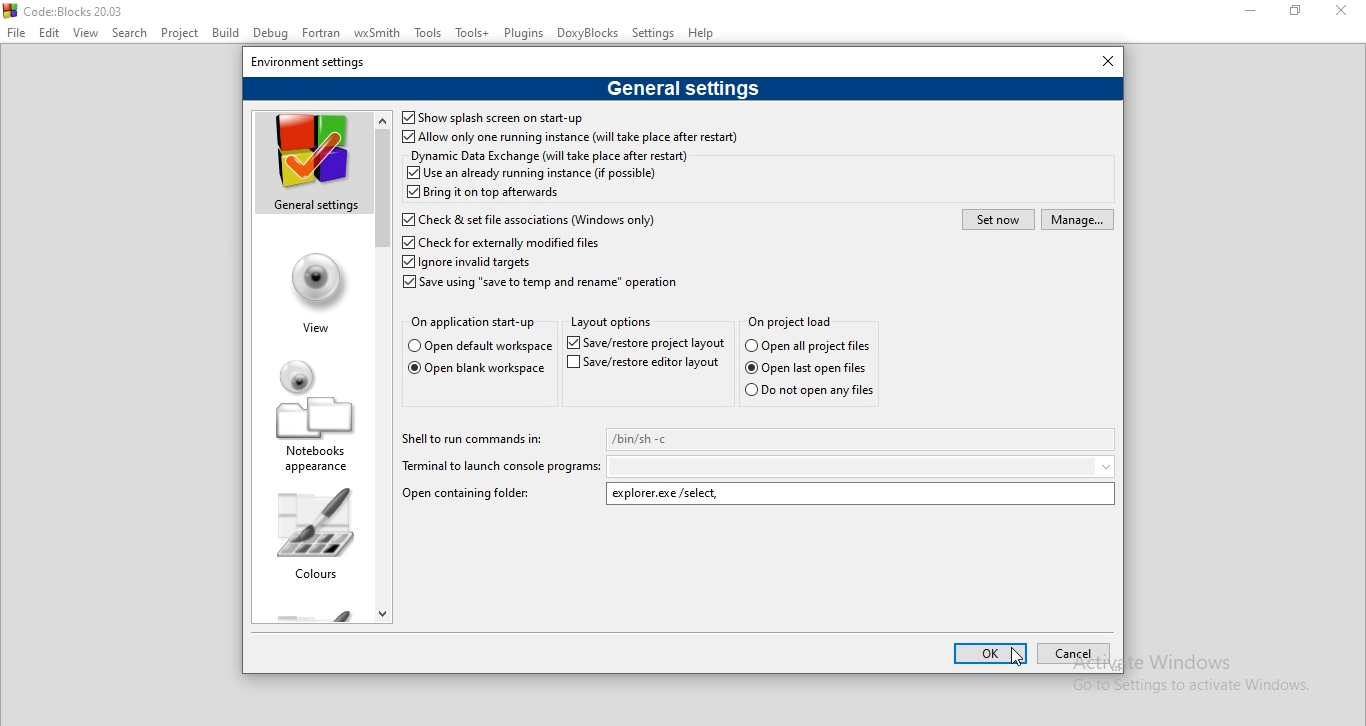 The height and width of the screenshot is (726, 1366). Describe the element at coordinates (475, 371) in the screenshot. I see `Open blank workspace` at that location.